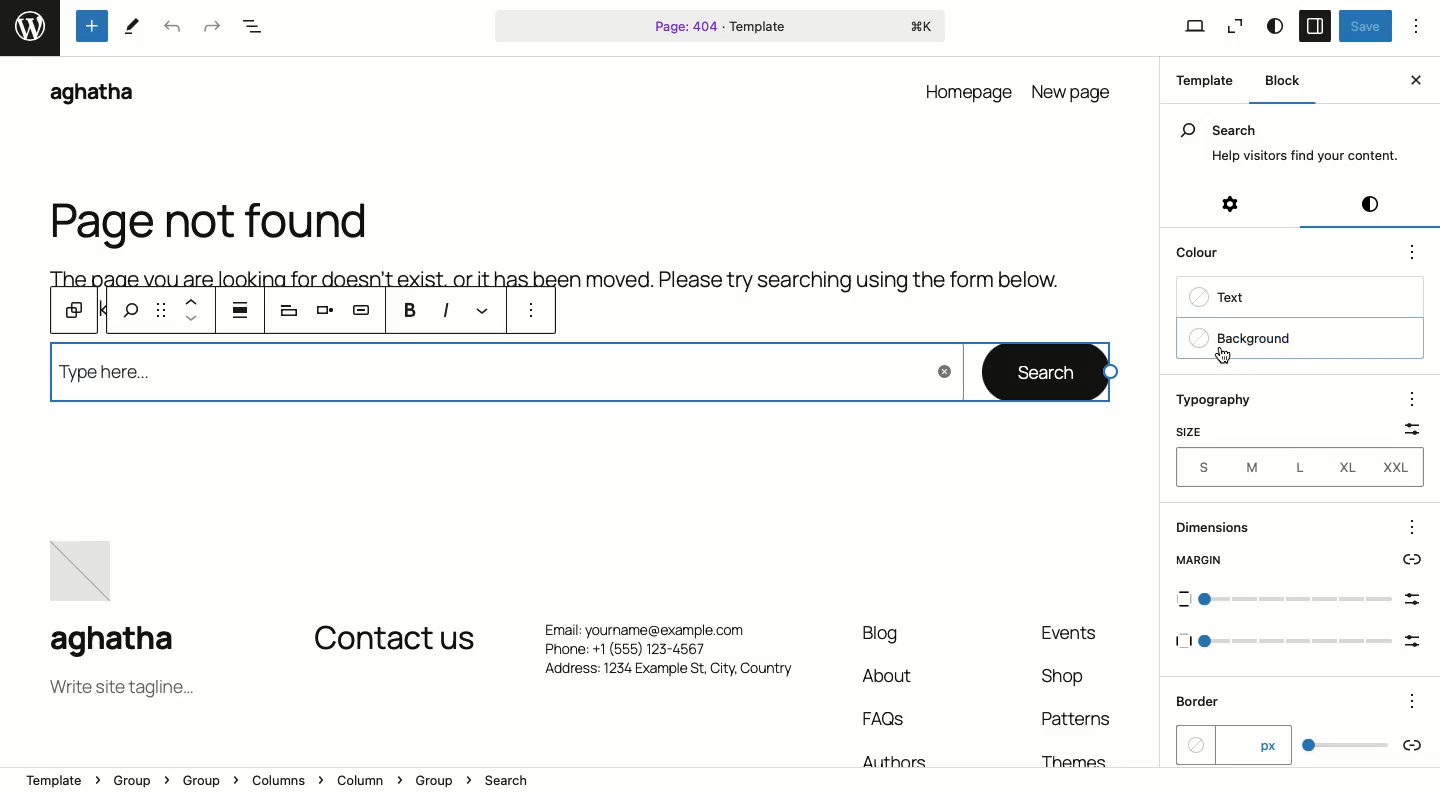  I want to click on Tagline, so click(120, 689).